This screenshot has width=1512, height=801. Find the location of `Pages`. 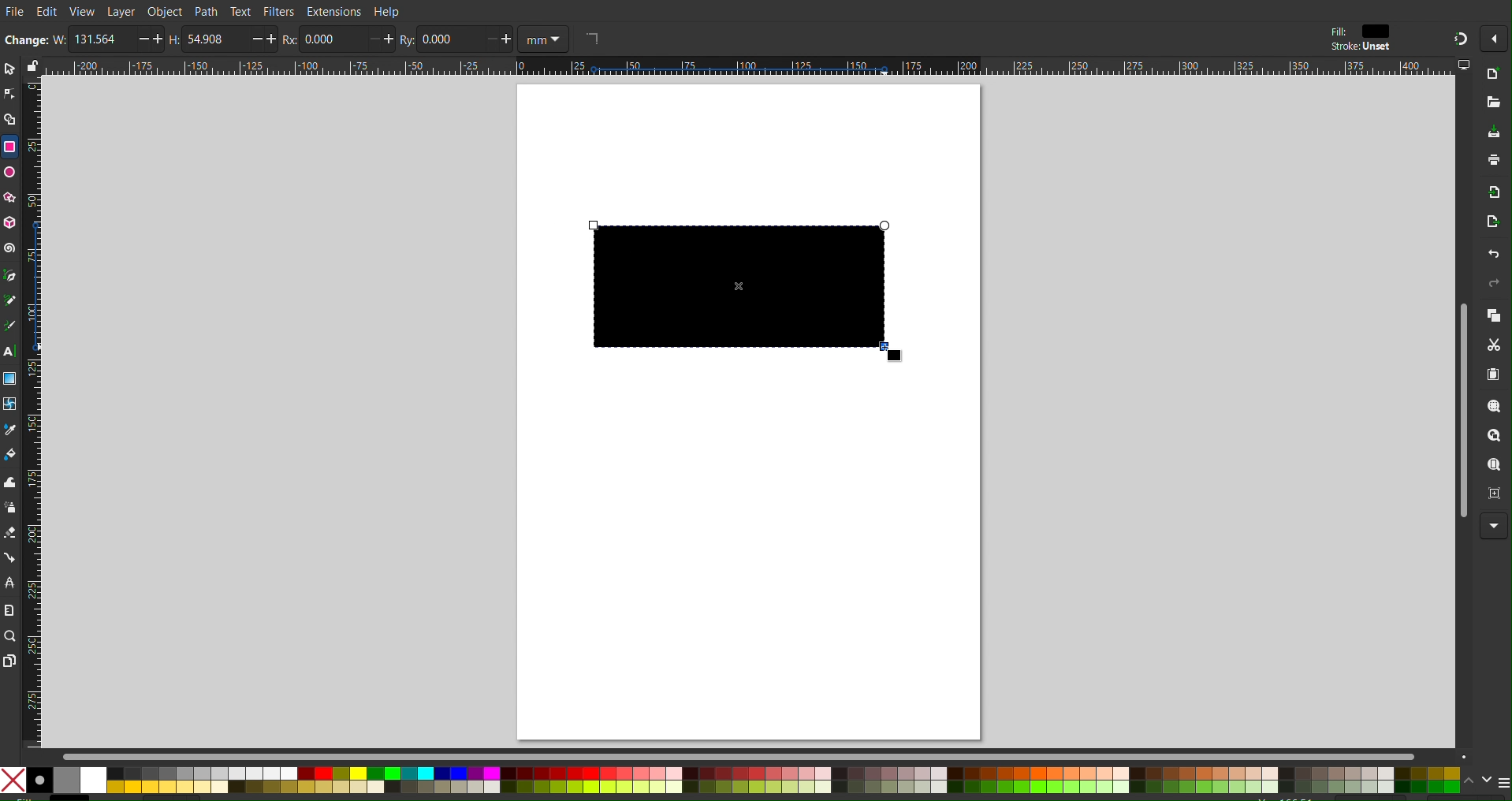

Pages is located at coordinates (9, 660).